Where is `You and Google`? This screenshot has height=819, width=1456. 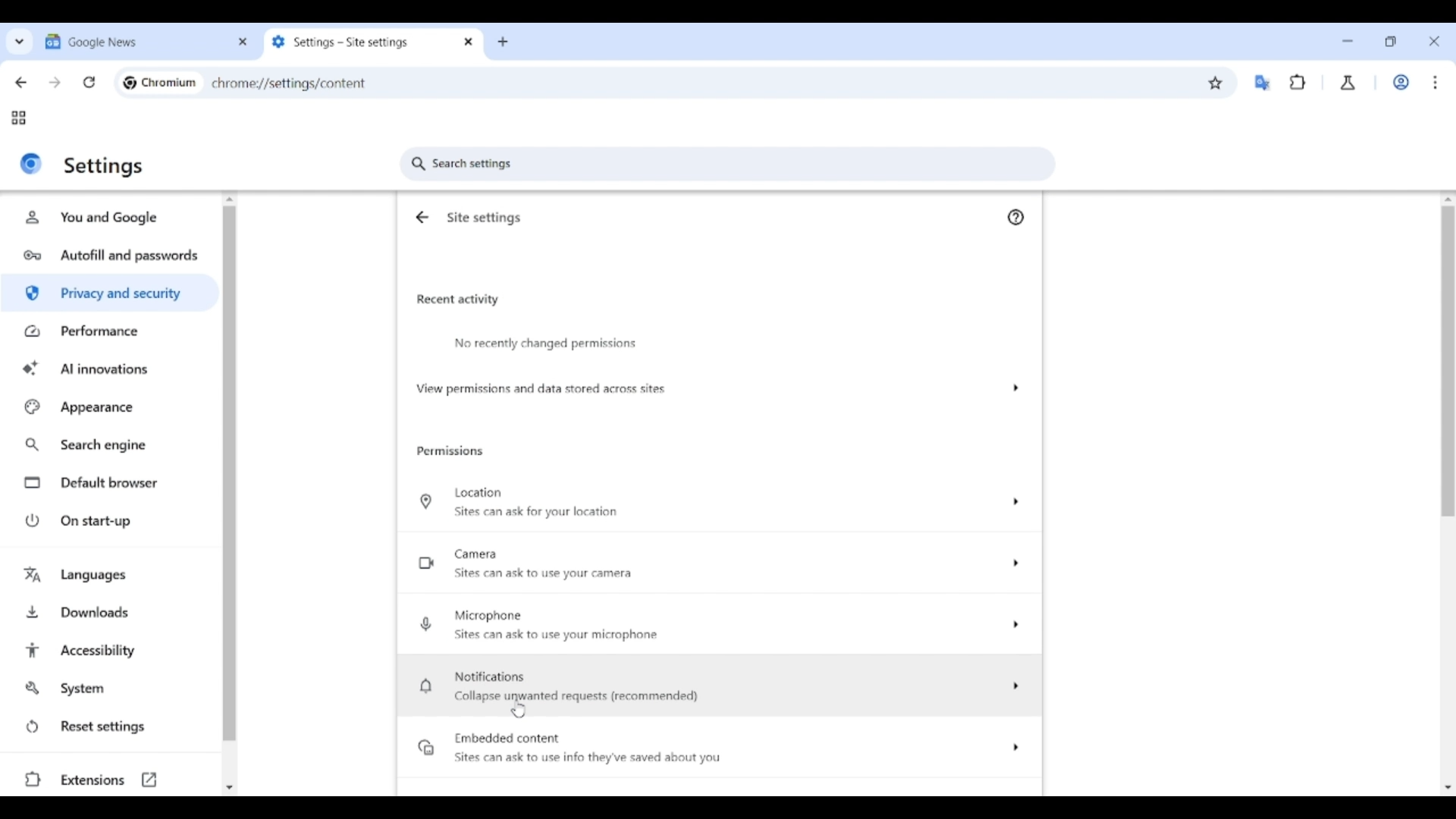 You and Google is located at coordinates (107, 218).